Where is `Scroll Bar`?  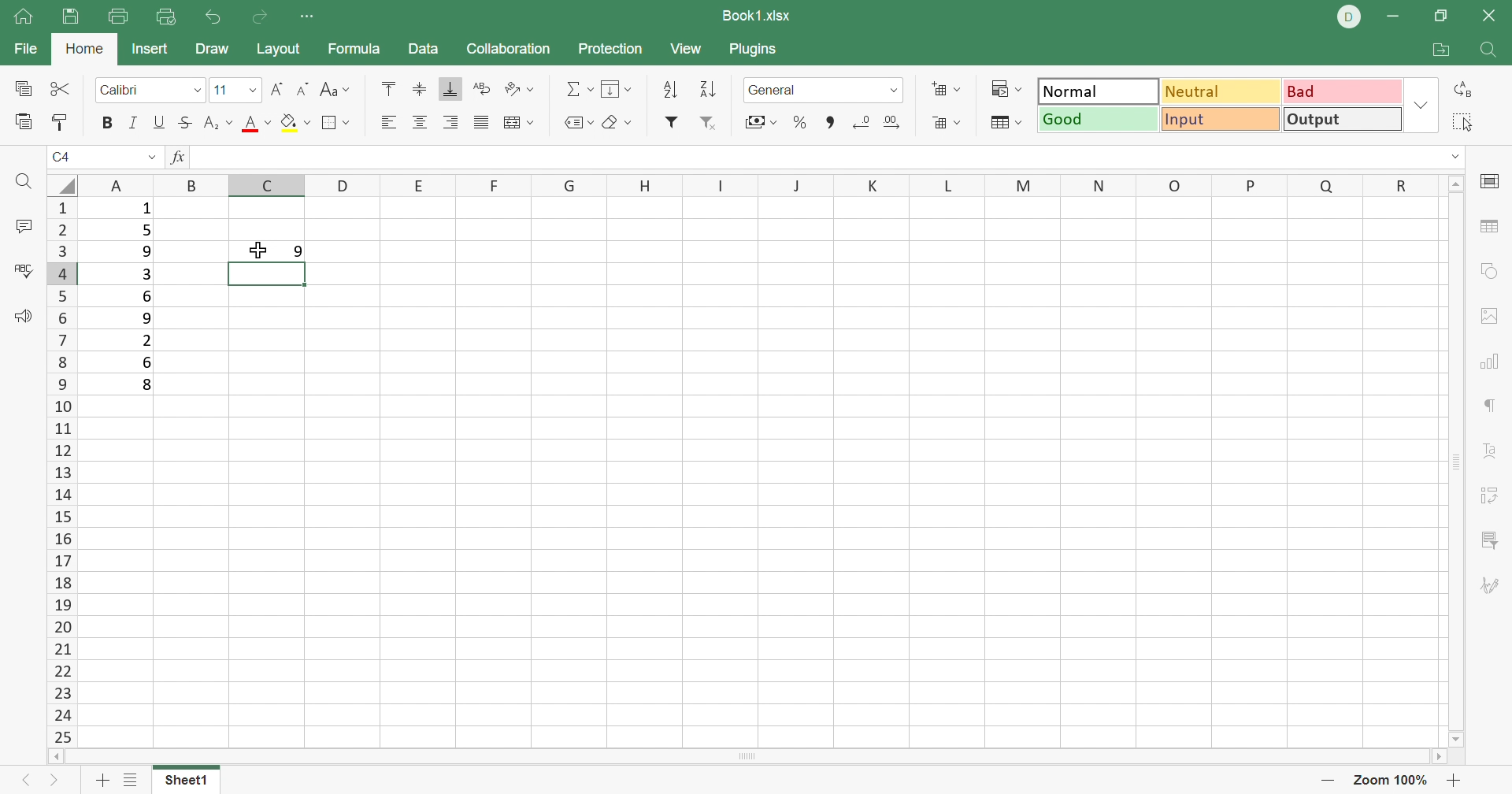
Scroll Bar is located at coordinates (746, 758).